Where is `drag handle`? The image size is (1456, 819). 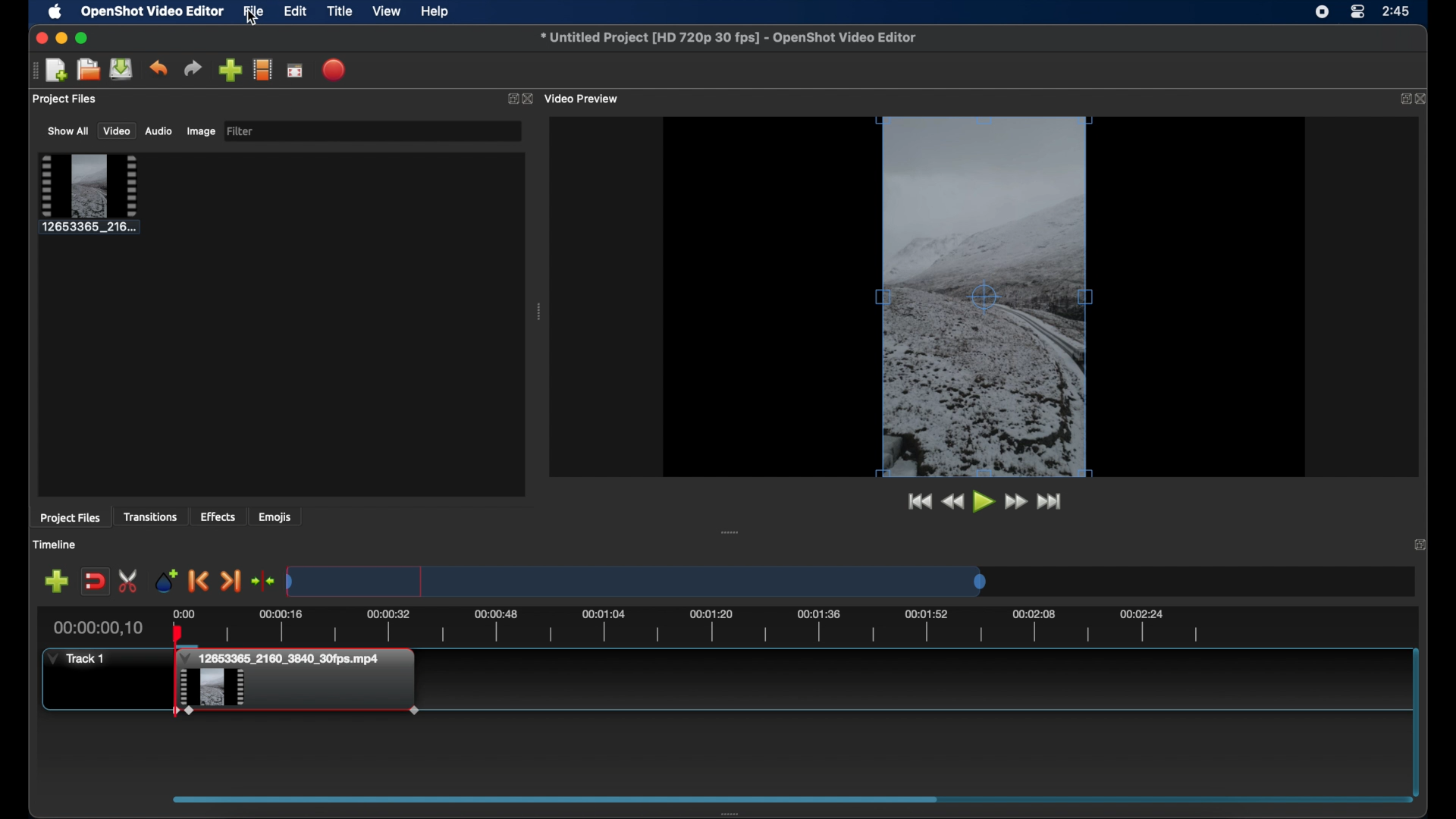 drag handle is located at coordinates (730, 532).